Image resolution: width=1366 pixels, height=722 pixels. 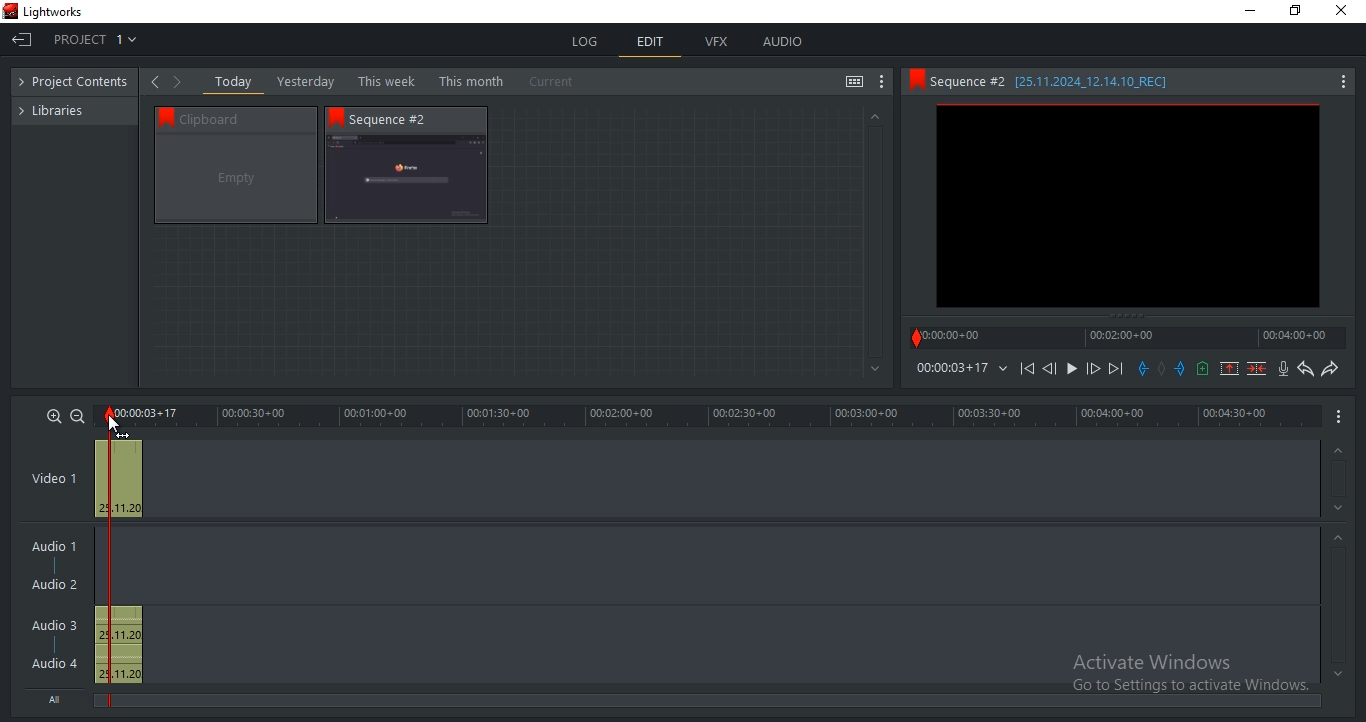 What do you see at coordinates (1115, 369) in the screenshot?
I see `Move forward` at bounding box center [1115, 369].